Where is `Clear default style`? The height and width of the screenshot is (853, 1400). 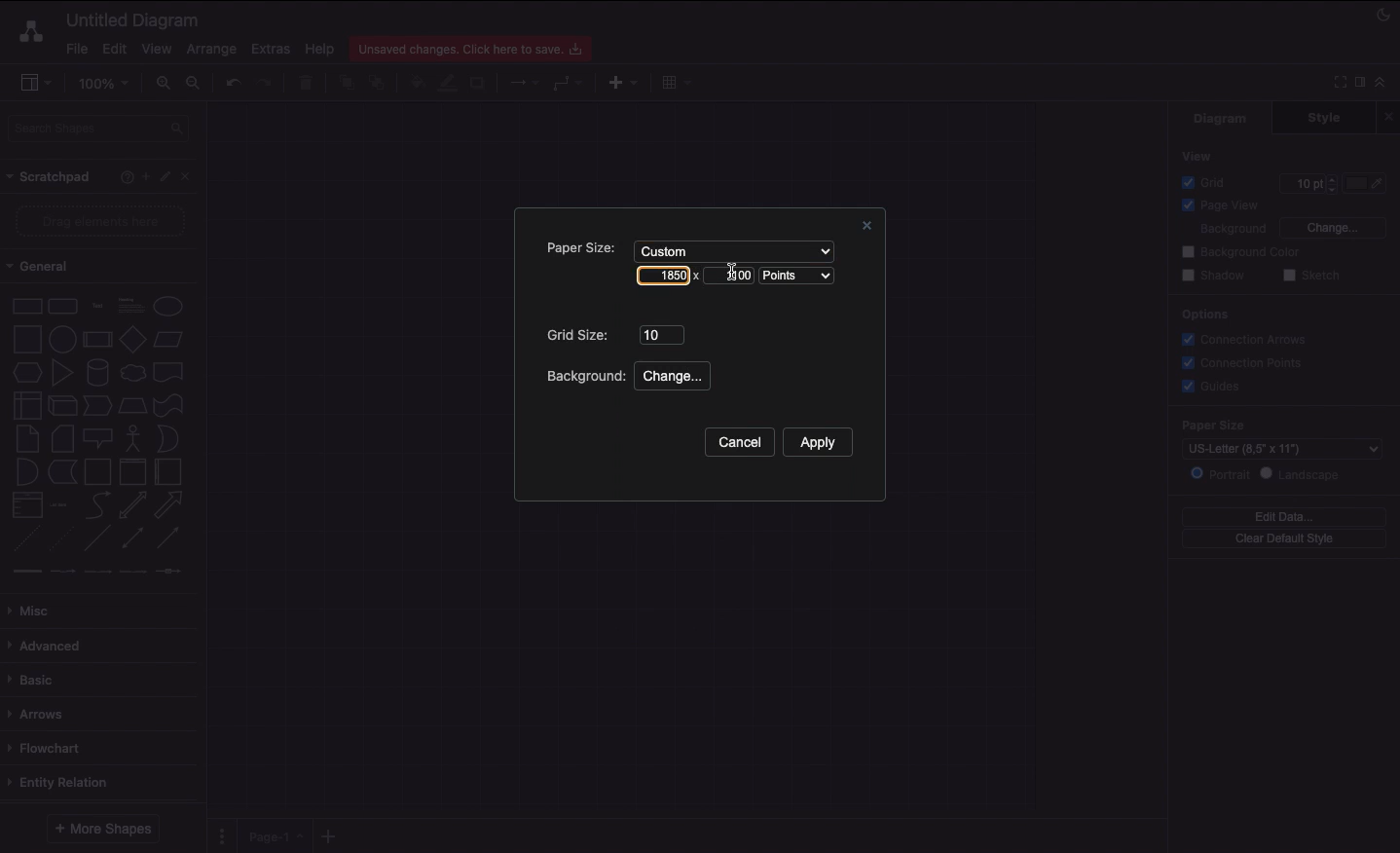 Clear default style is located at coordinates (1283, 539).